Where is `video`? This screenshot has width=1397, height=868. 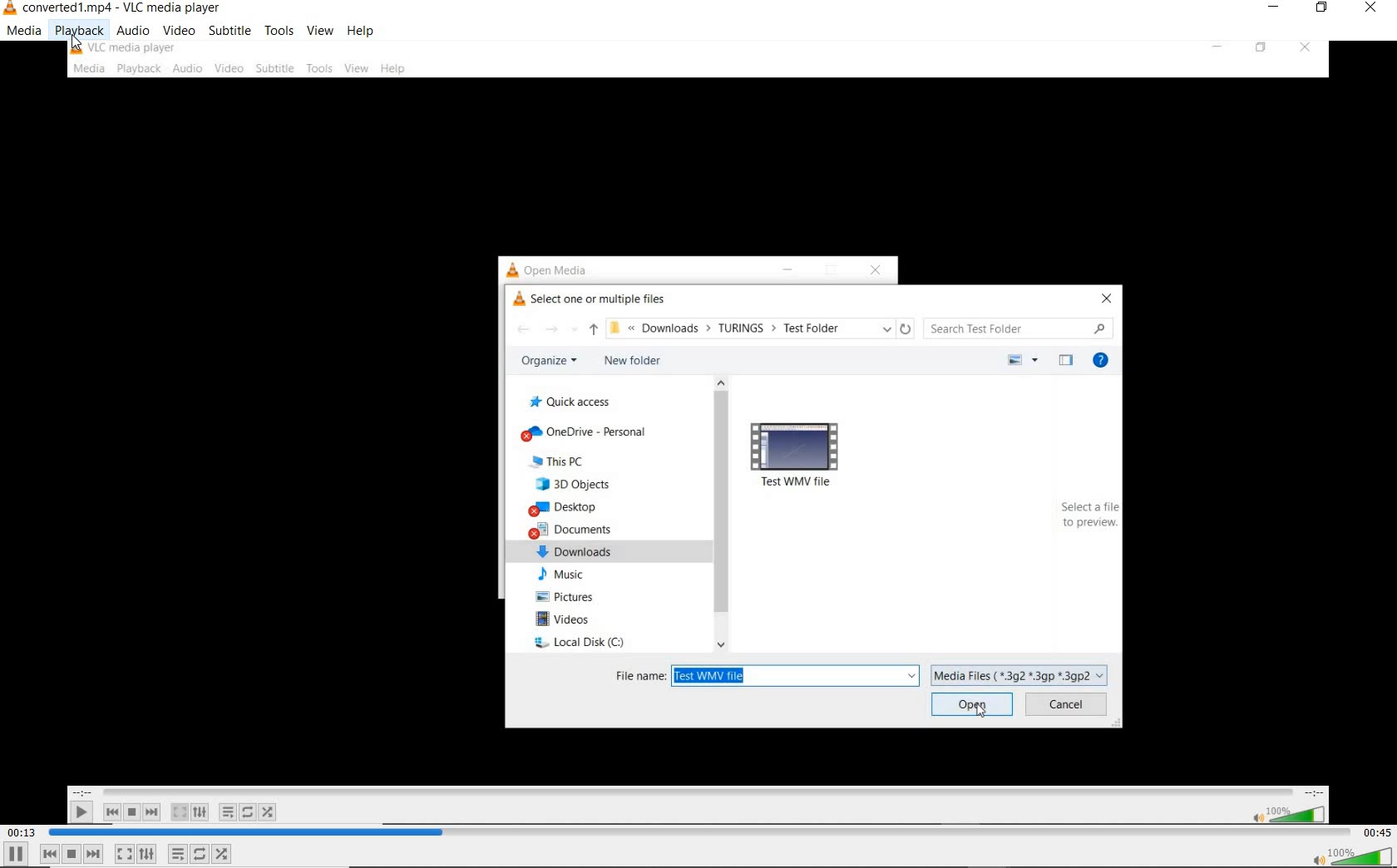 video is located at coordinates (178, 31).